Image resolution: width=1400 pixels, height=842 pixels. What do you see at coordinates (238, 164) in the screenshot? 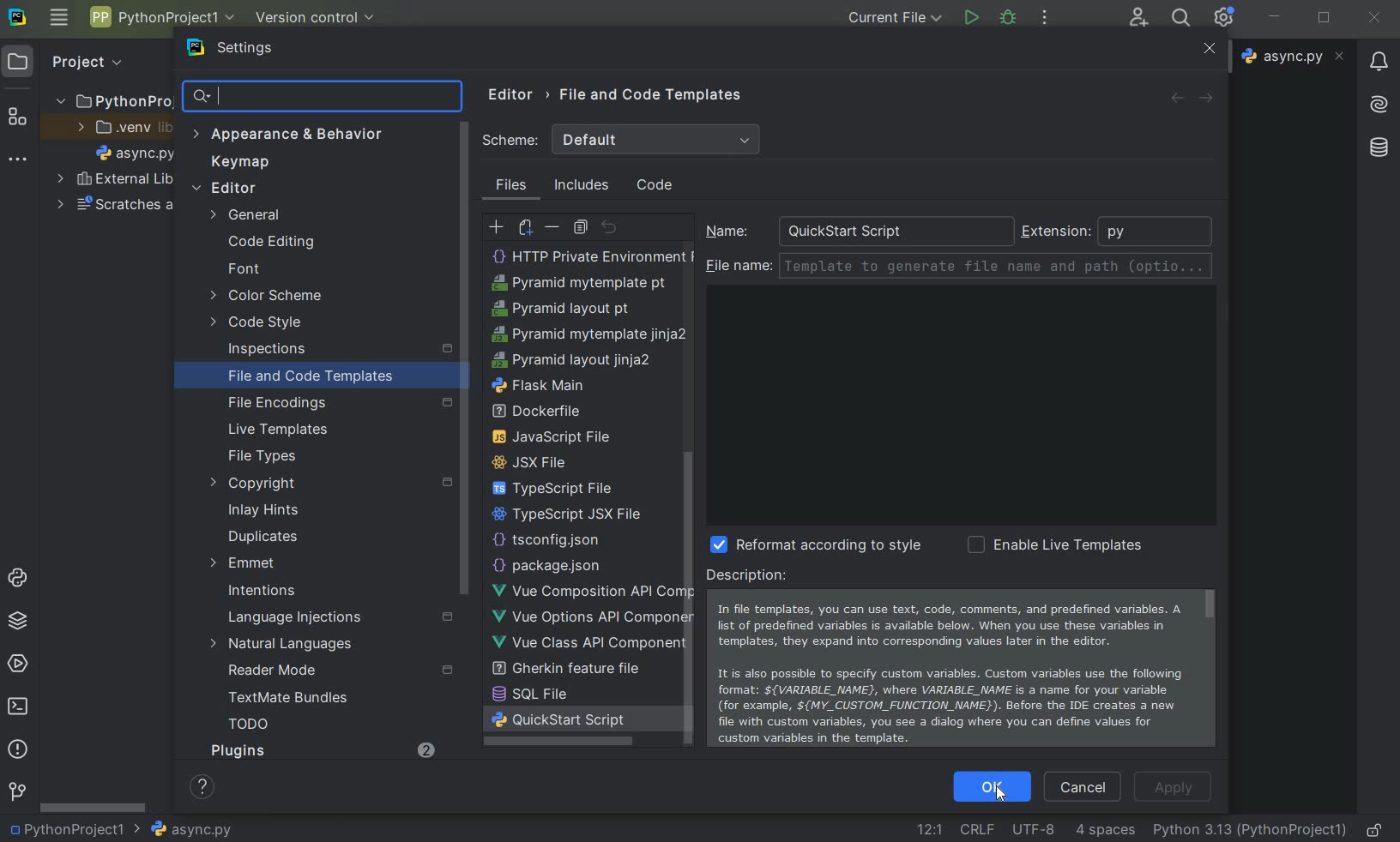
I see `keymap` at bounding box center [238, 164].